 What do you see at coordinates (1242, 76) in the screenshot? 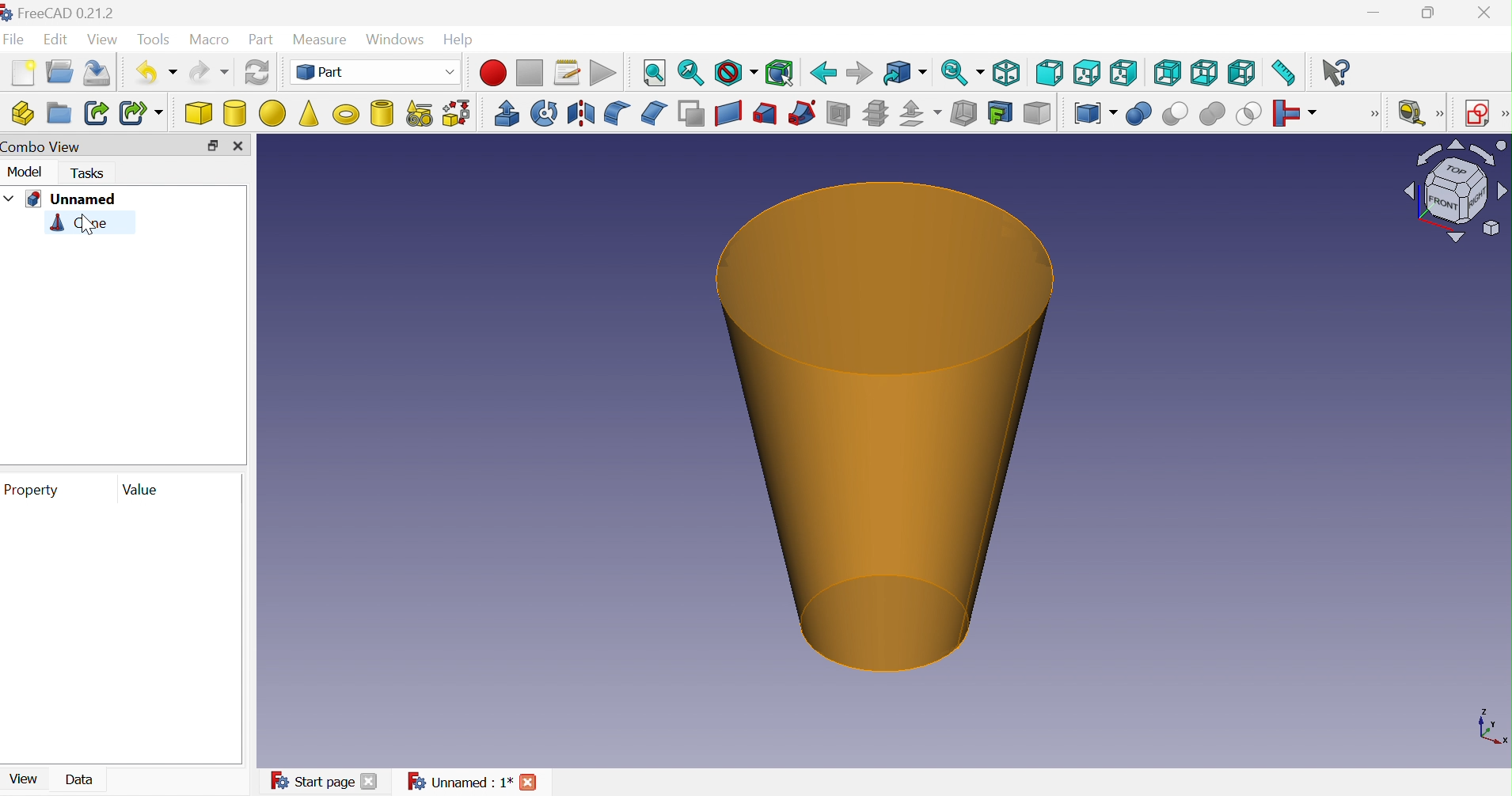
I see `Left` at bounding box center [1242, 76].